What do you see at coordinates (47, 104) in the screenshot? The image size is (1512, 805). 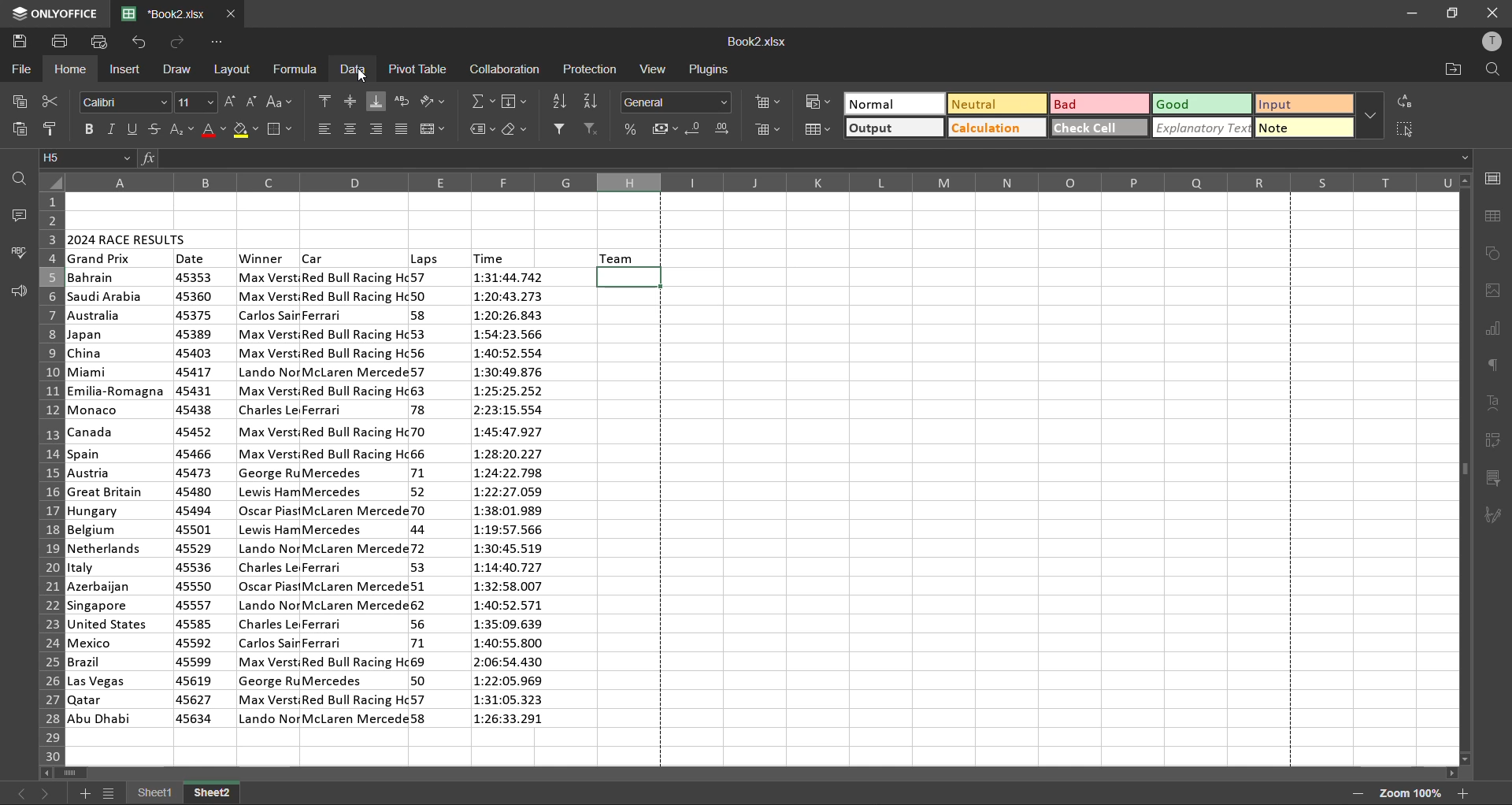 I see `cut` at bounding box center [47, 104].